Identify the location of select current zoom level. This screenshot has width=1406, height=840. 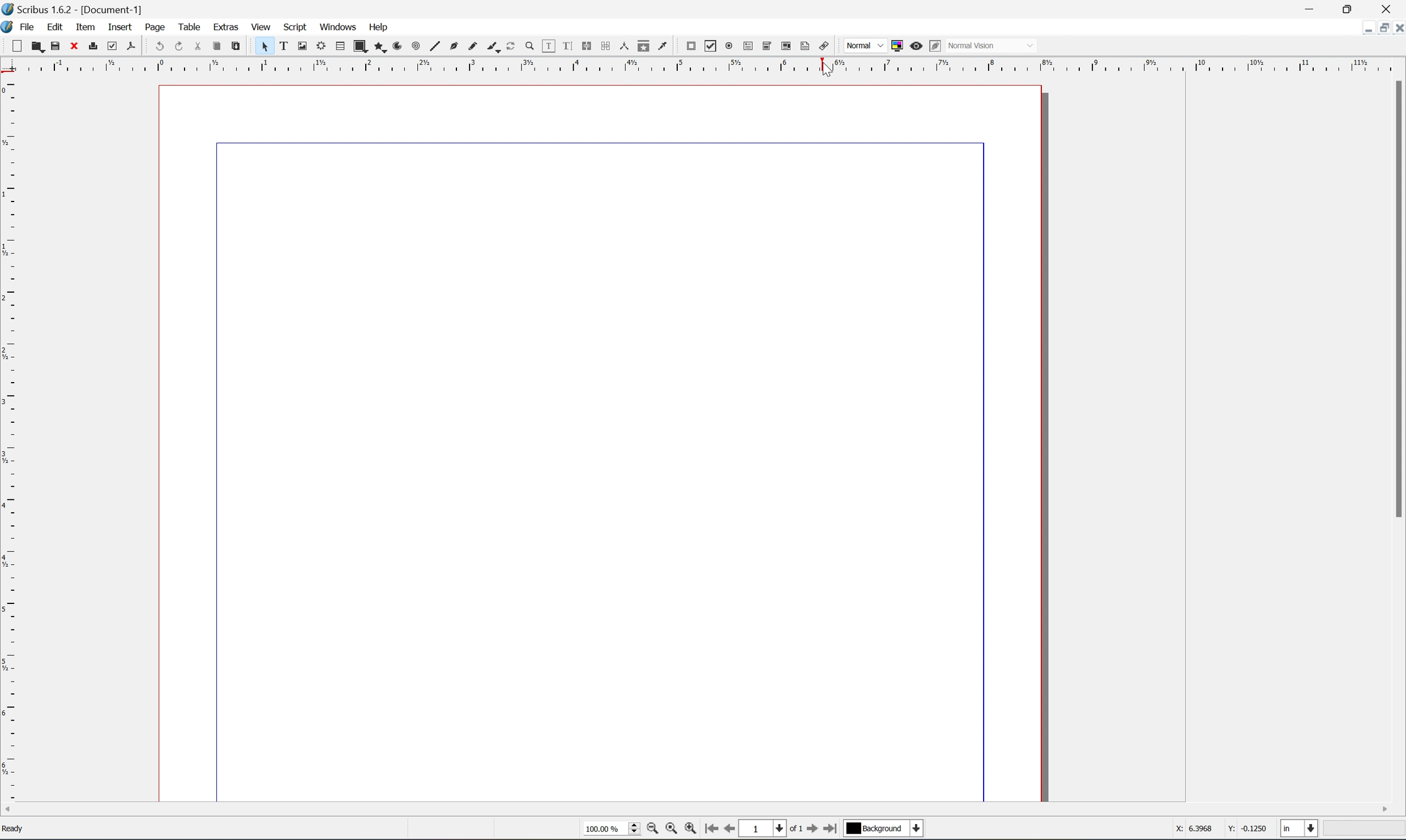
(612, 831).